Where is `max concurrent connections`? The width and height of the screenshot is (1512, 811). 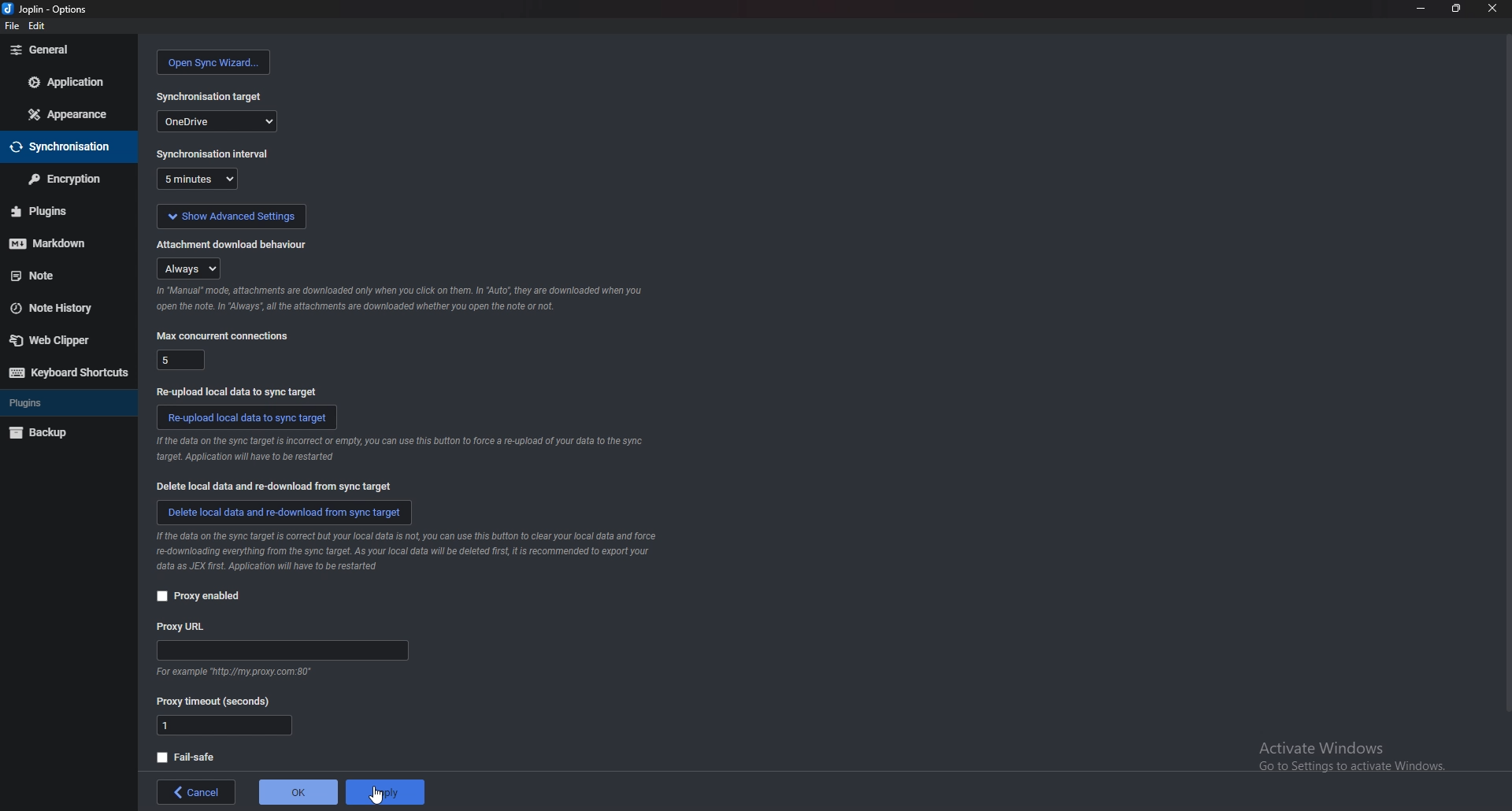
max concurrent connections is located at coordinates (224, 334).